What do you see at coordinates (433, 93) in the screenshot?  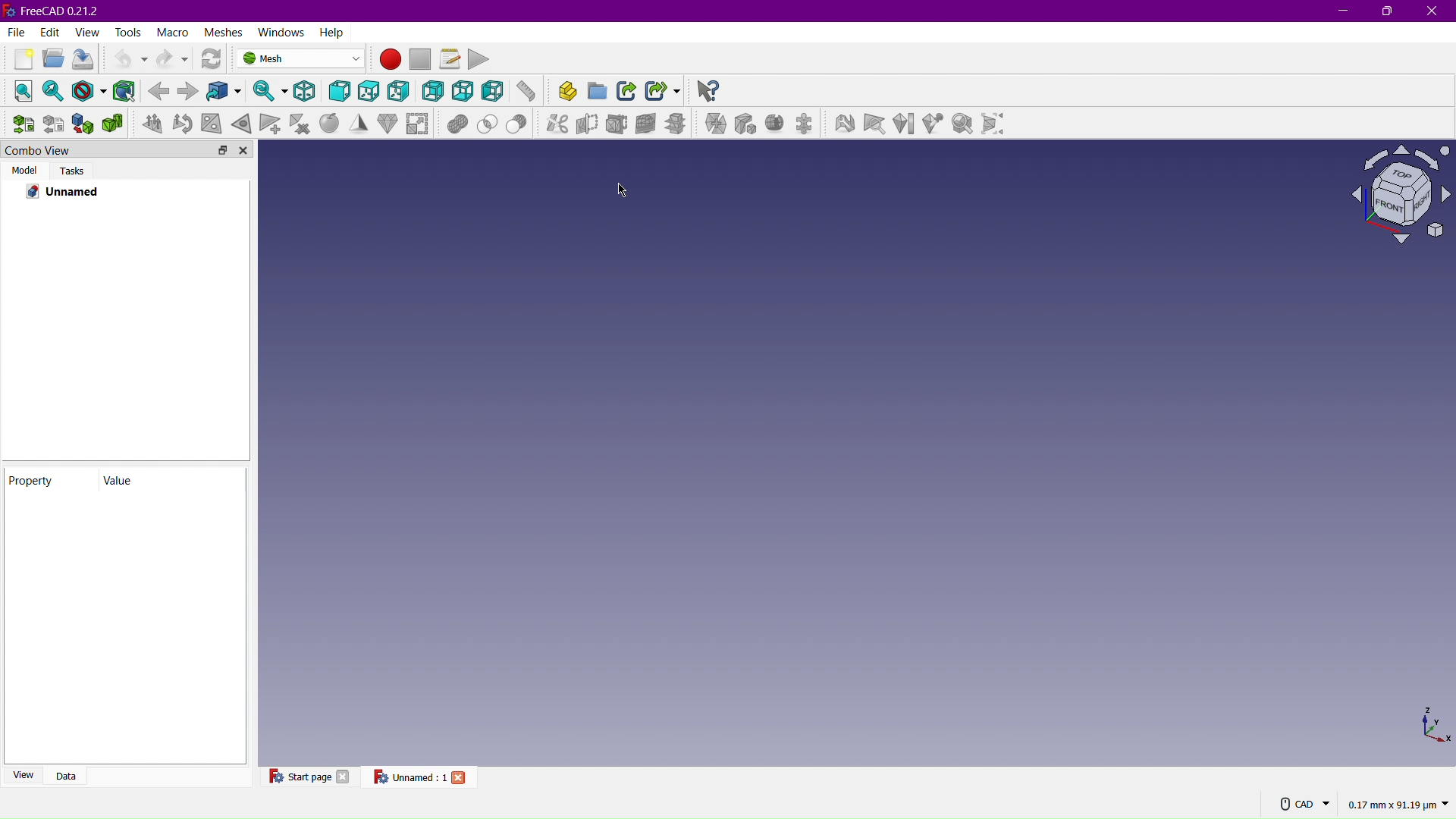 I see `Back` at bounding box center [433, 93].